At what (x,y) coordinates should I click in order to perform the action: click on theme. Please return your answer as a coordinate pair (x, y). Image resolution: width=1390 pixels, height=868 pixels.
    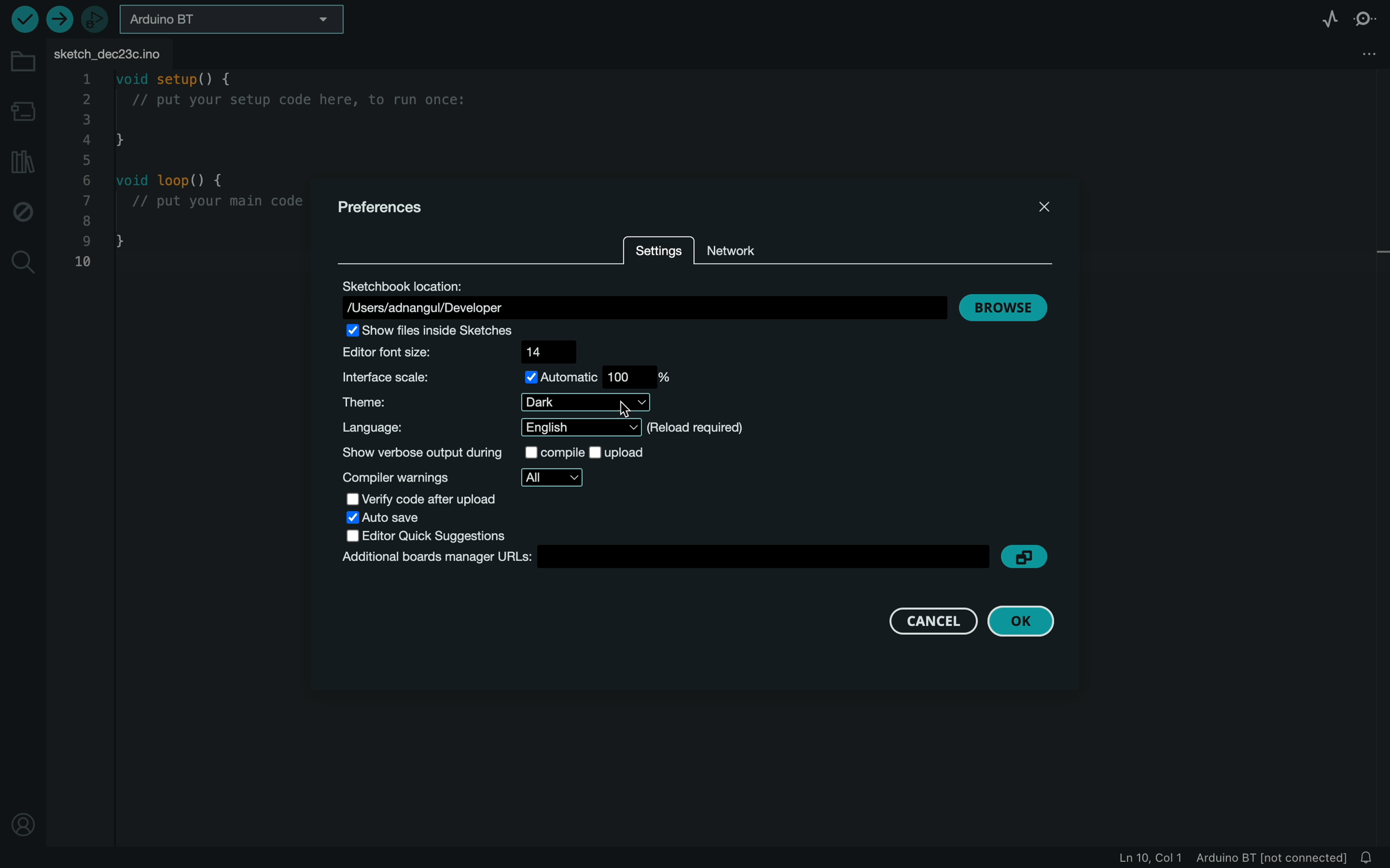
    Looking at the image, I should click on (501, 402).